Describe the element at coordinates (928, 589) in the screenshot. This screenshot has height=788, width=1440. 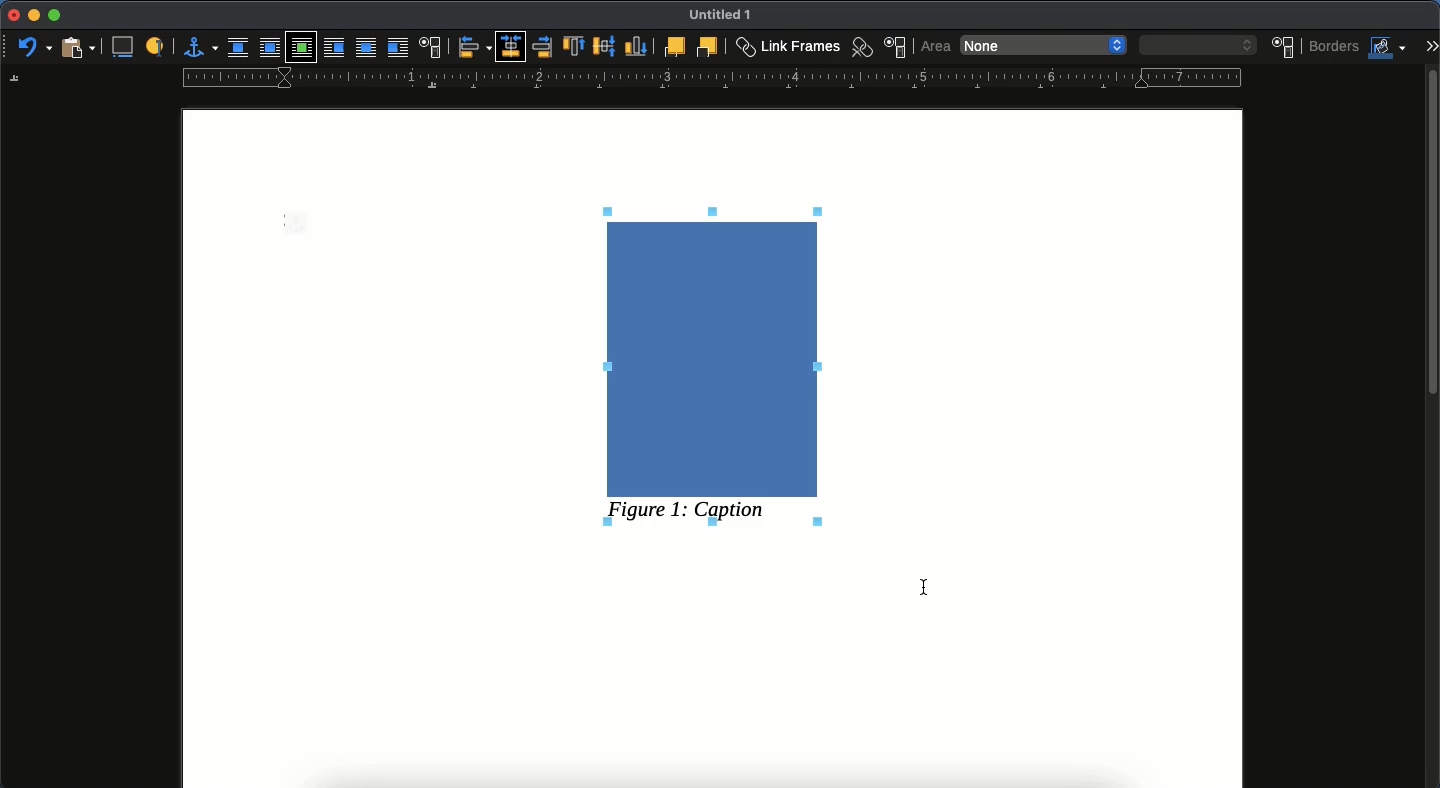
I see `cursor` at that location.